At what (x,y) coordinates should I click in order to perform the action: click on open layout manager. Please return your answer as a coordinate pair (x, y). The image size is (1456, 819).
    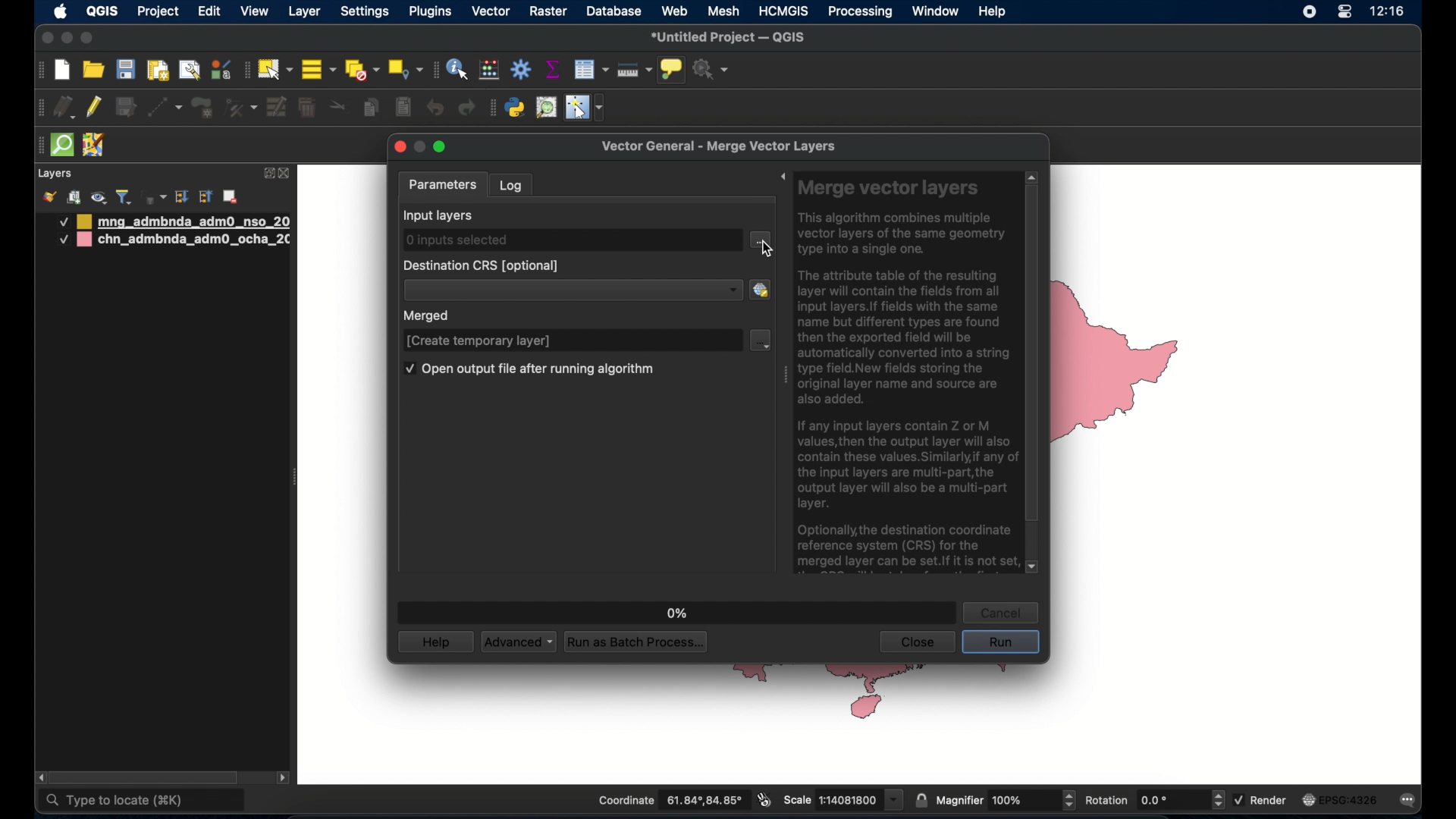
    Looking at the image, I should click on (189, 70).